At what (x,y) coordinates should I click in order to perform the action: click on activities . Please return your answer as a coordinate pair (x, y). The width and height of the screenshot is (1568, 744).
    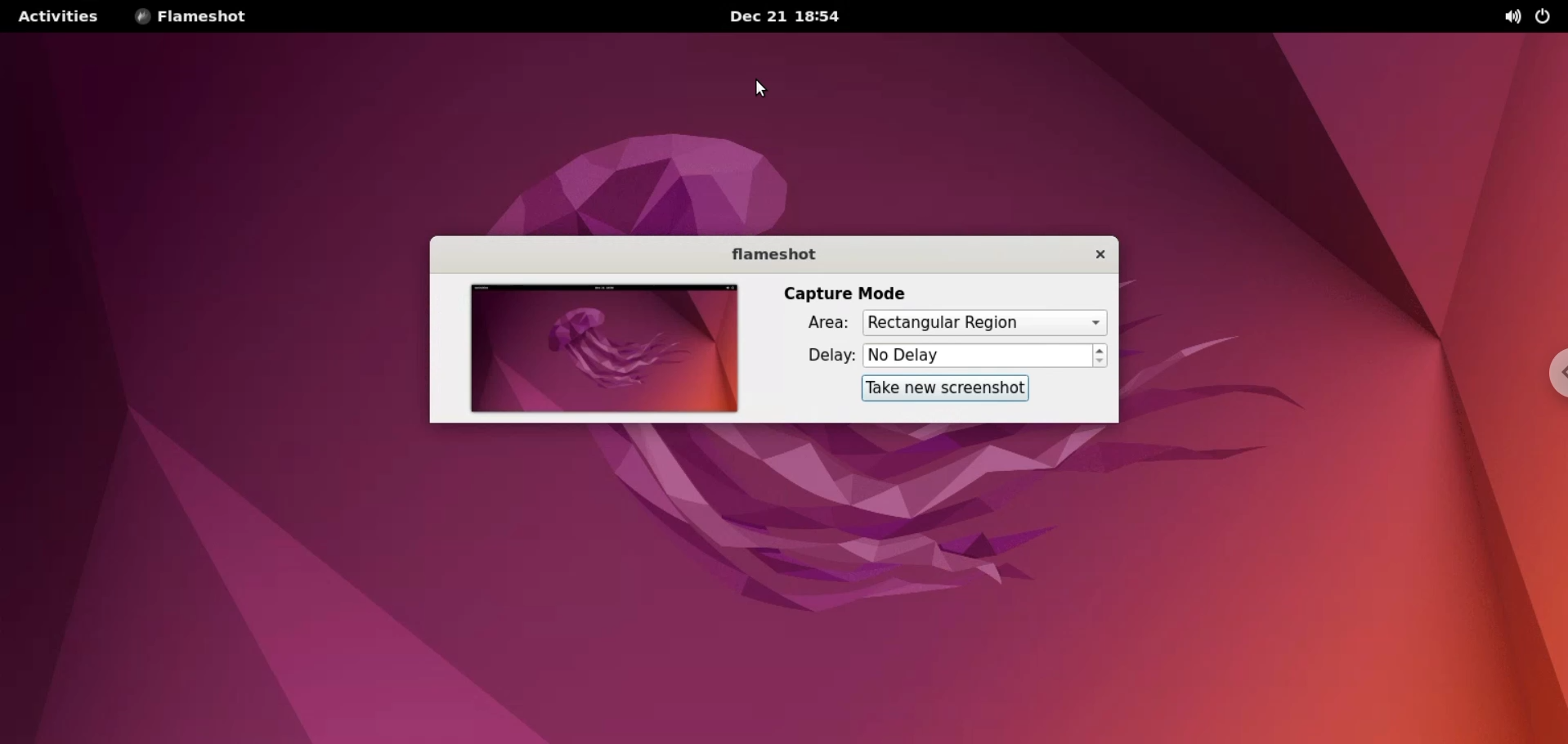
    Looking at the image, I should click on (56, 16).